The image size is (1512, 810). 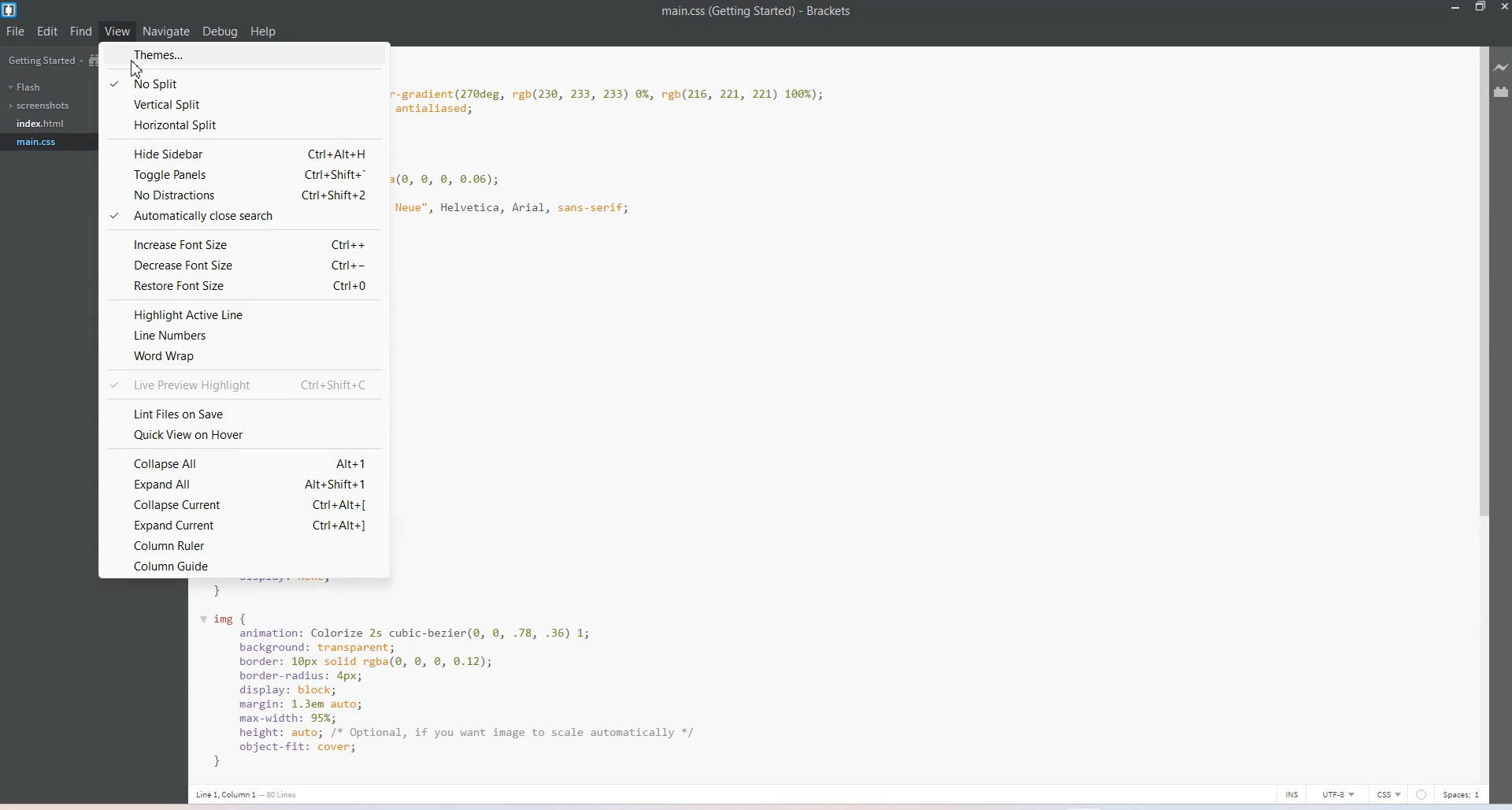 I want to click on main.css, so click(x=43, y=141).